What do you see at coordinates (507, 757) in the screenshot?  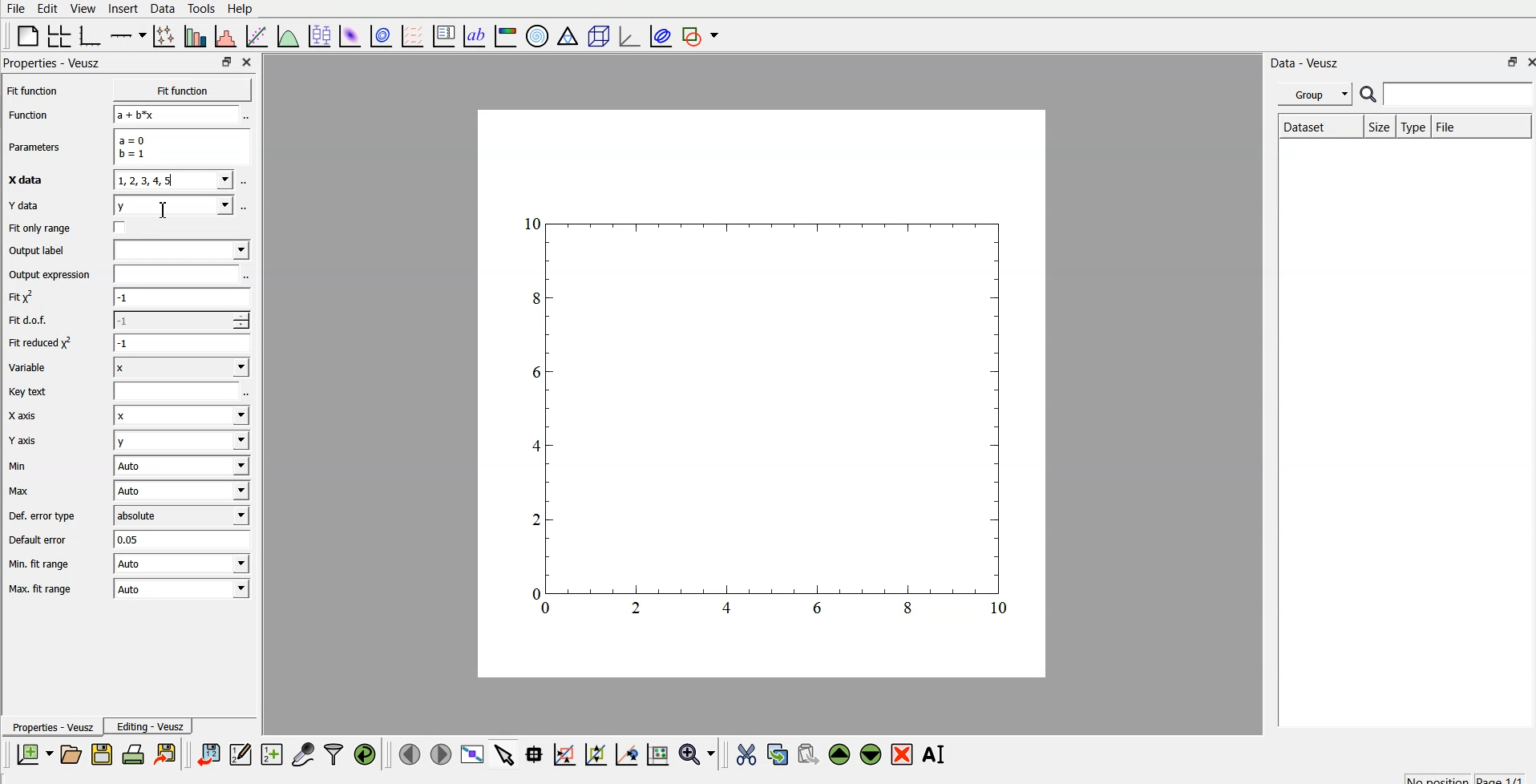 I see `select items from graph` at bounding box center [507, 757].